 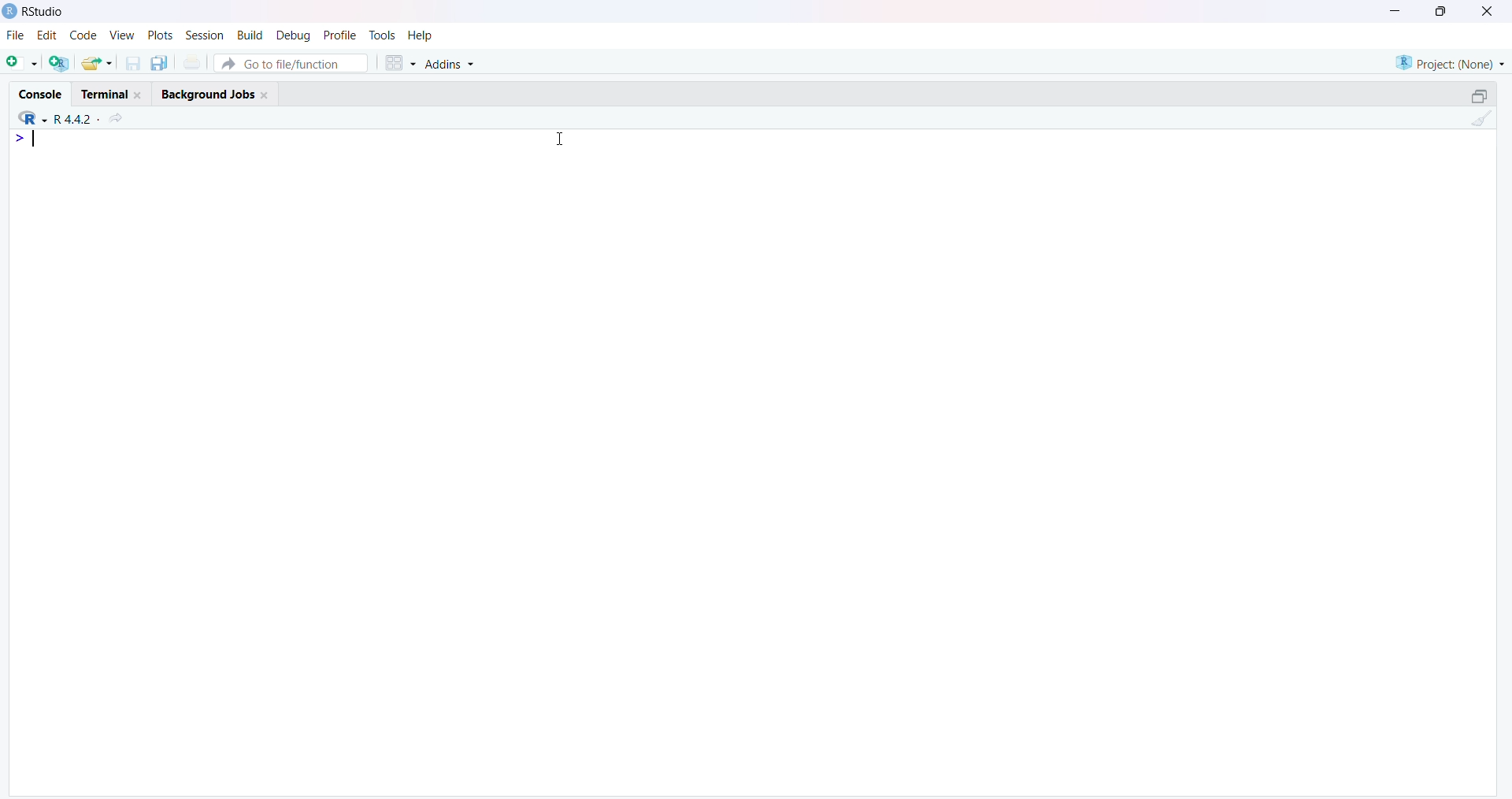 I want to click on Minimize, so click(x=1399, y=9).